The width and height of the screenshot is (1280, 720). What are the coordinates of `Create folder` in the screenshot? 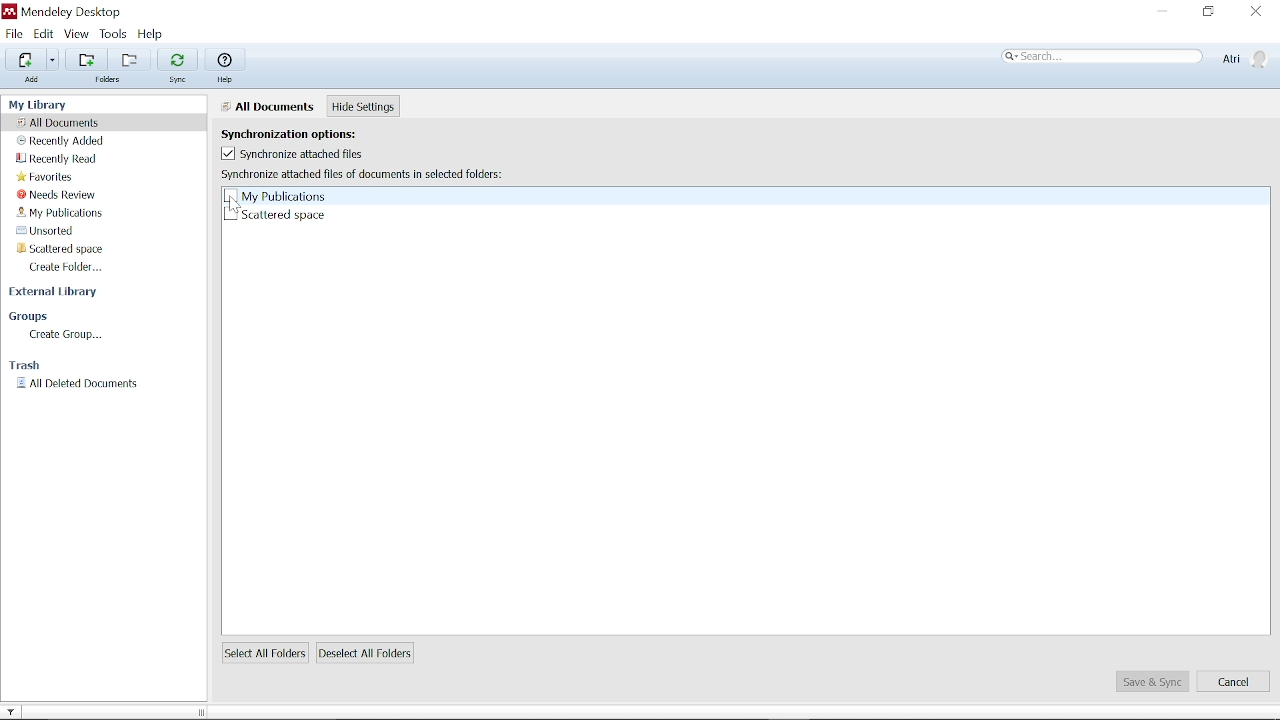 It's located at (68, 268).